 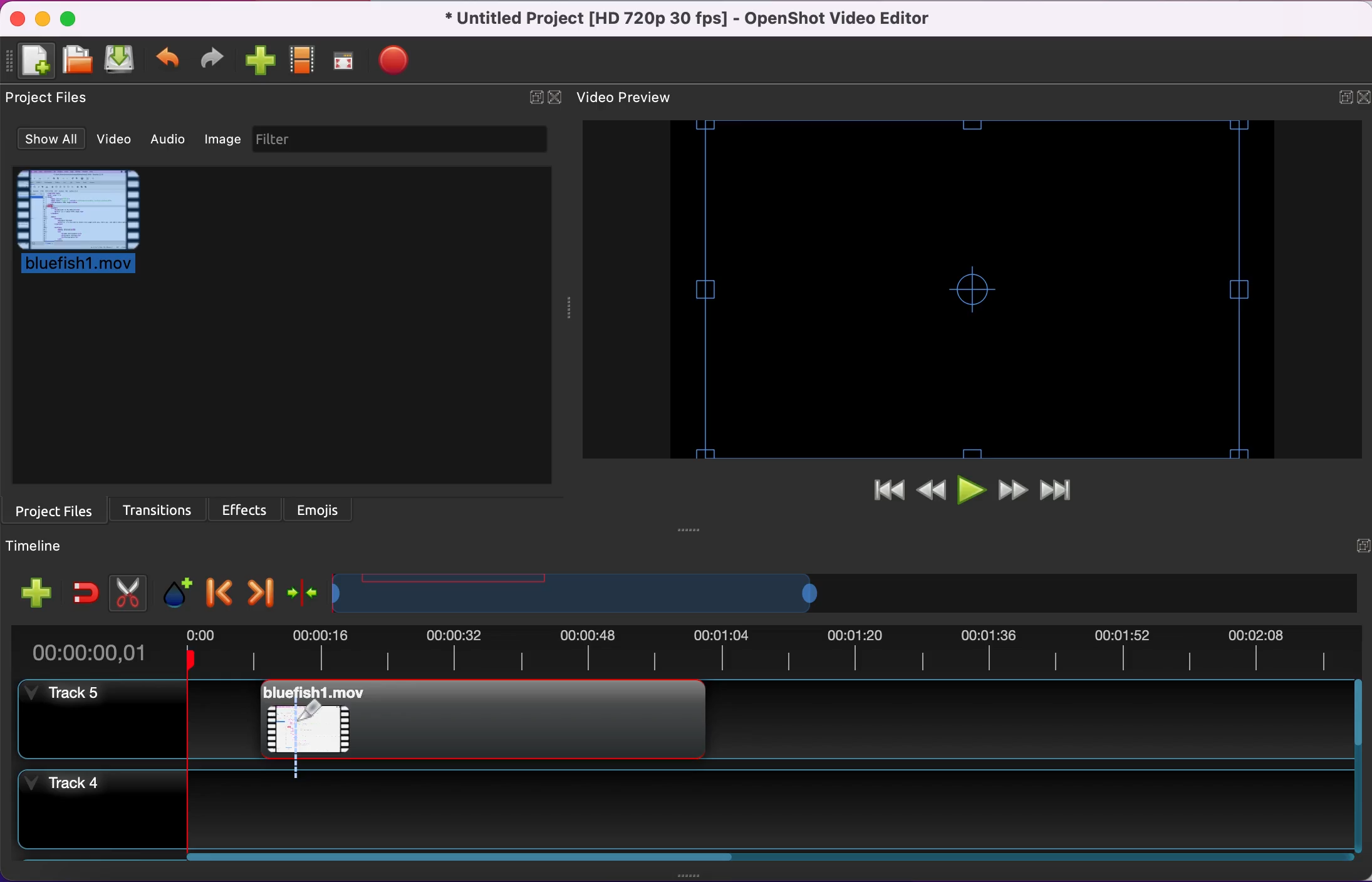 What do you see at coordinates (881, 495) in the screenshot?
I see `jump to start` at bounding box center [881, 495].